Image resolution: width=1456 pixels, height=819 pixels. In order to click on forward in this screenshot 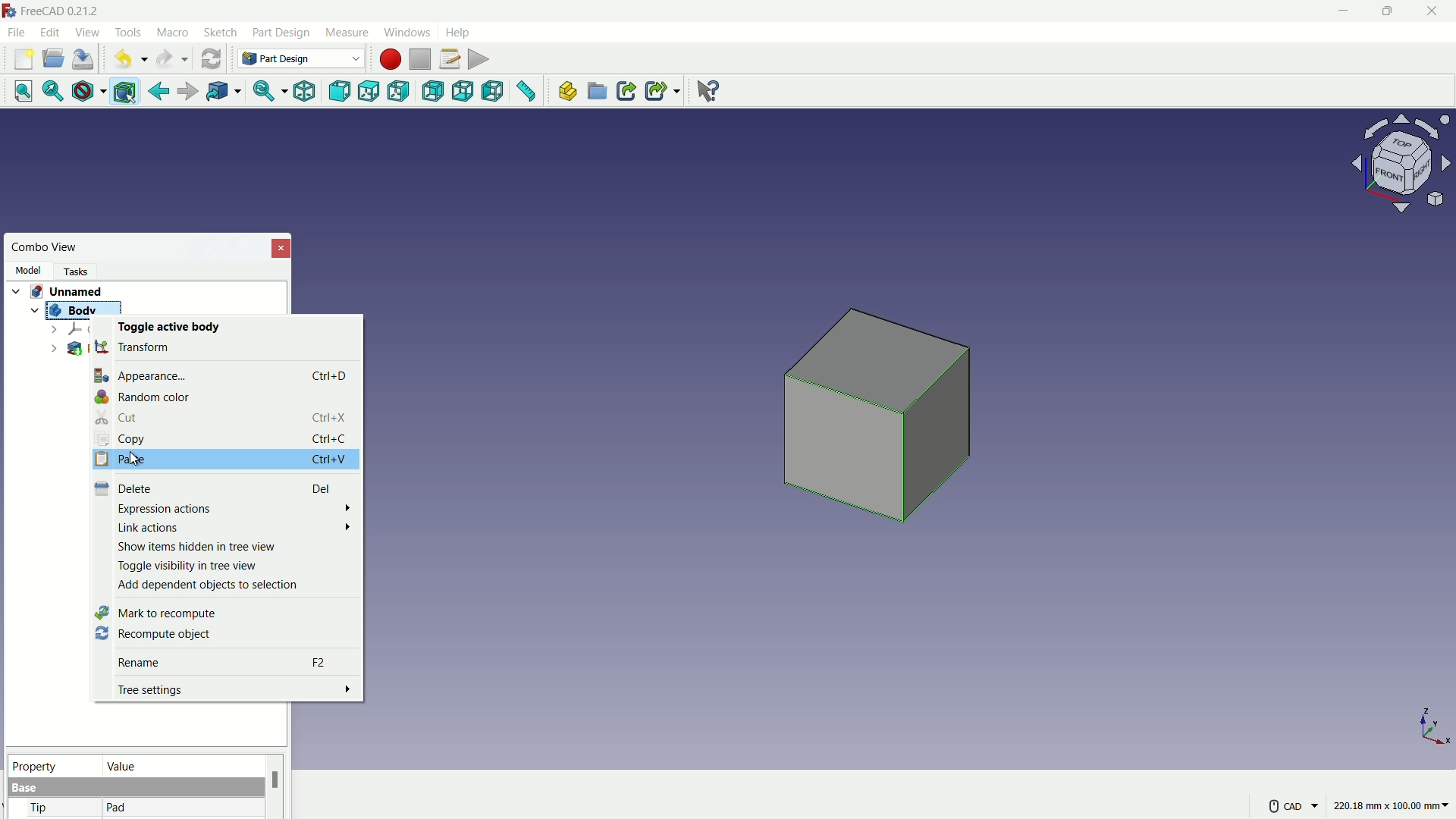, I will do `click(186, 93)`.